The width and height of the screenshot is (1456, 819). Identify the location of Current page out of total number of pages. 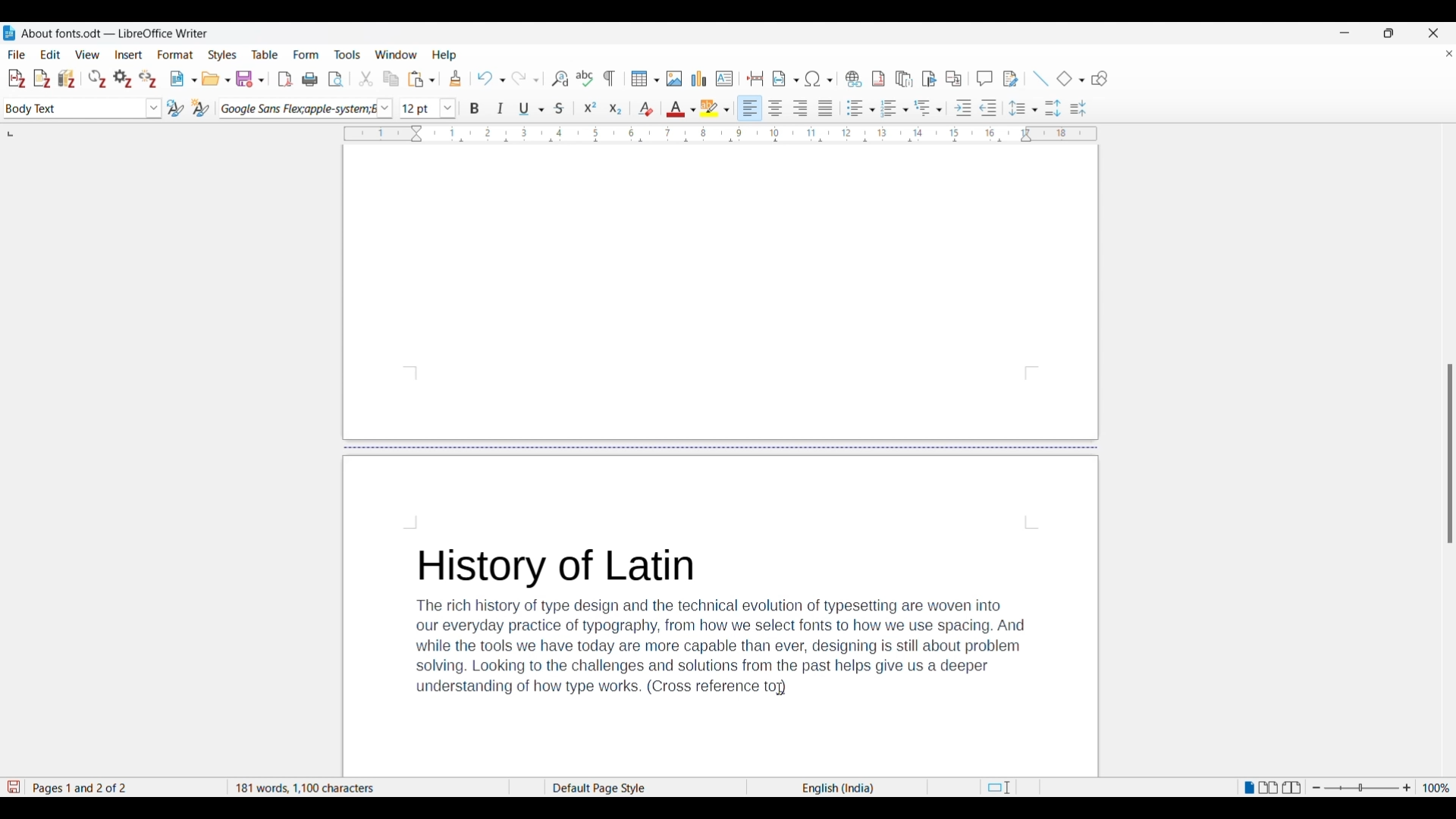
(124, 788).